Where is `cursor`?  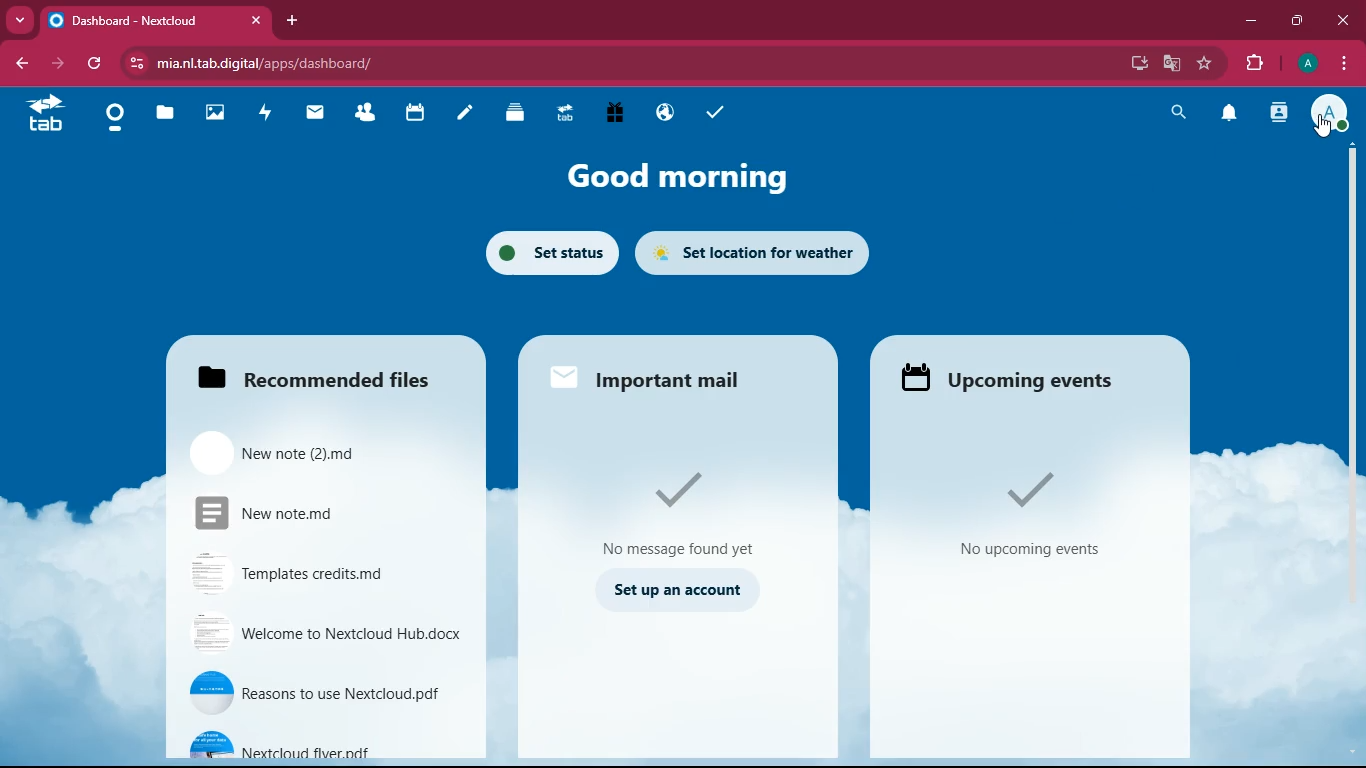 cursor is located at coordinates (1326, 126).